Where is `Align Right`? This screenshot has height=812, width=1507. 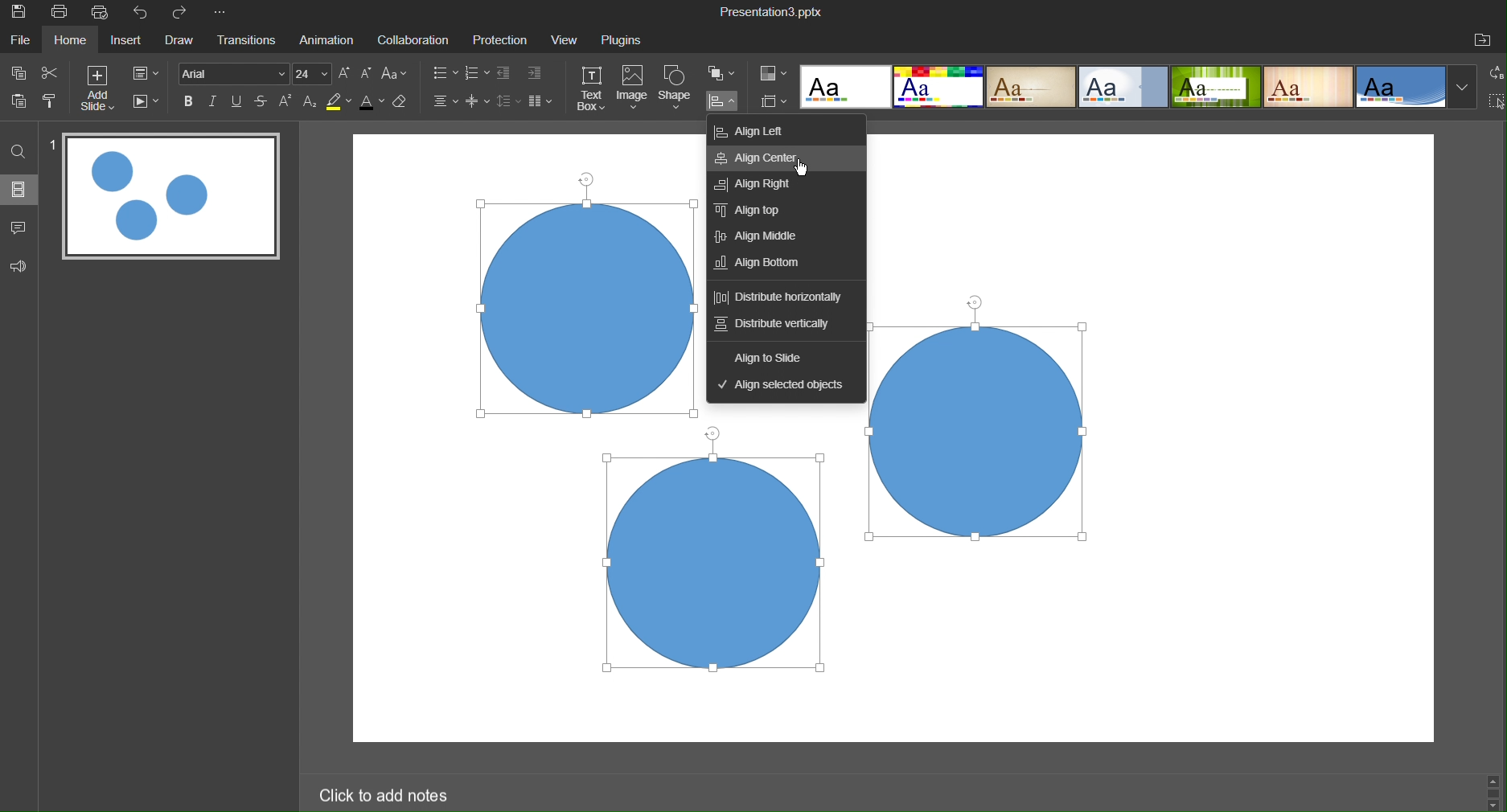
Align Right is located at coordinates (758, 185).